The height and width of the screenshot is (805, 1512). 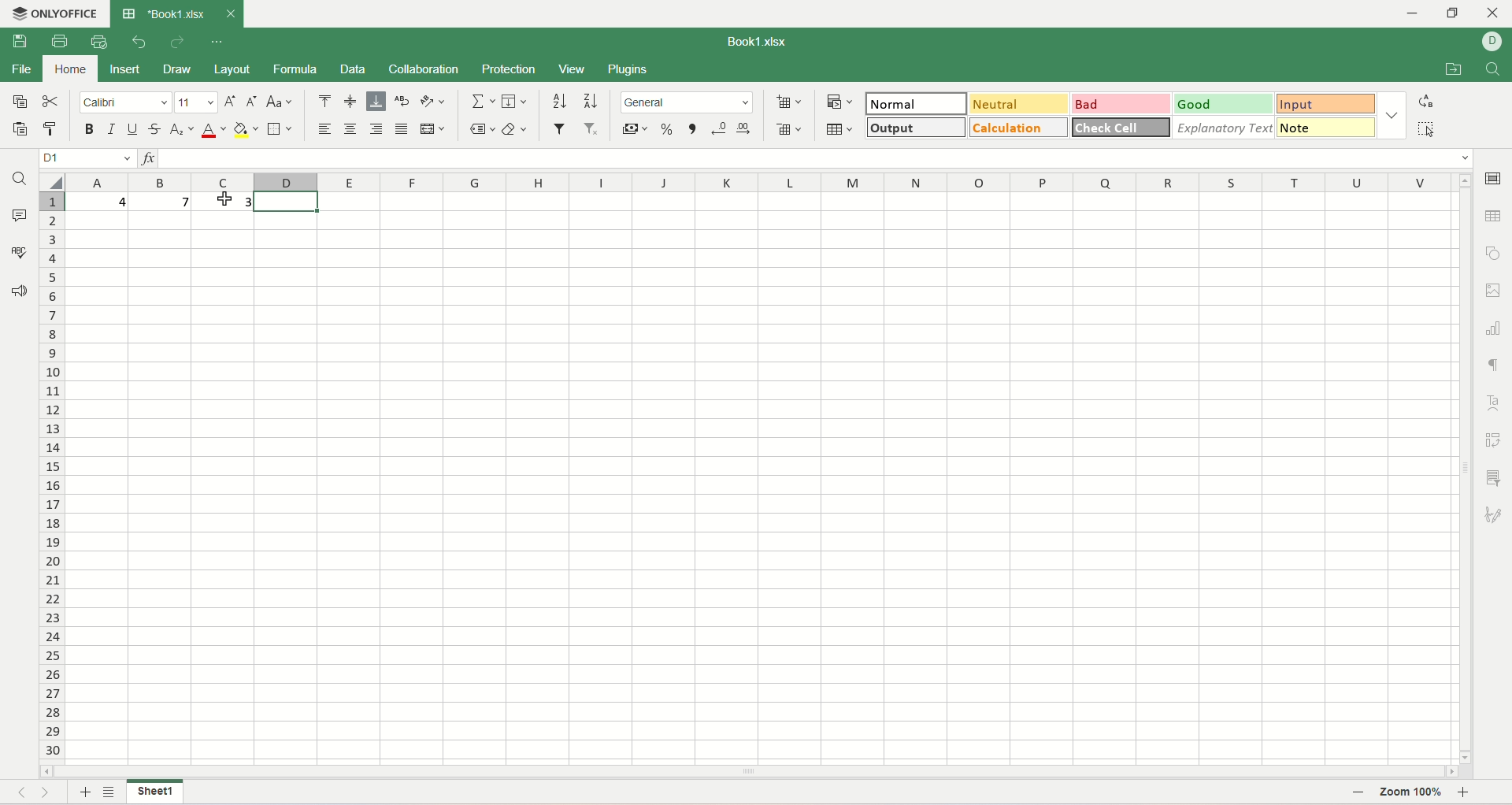 What do you see at coordinates (109, 793) in the screenshot?
I see `sheet list` at bounding box center [109, 793].